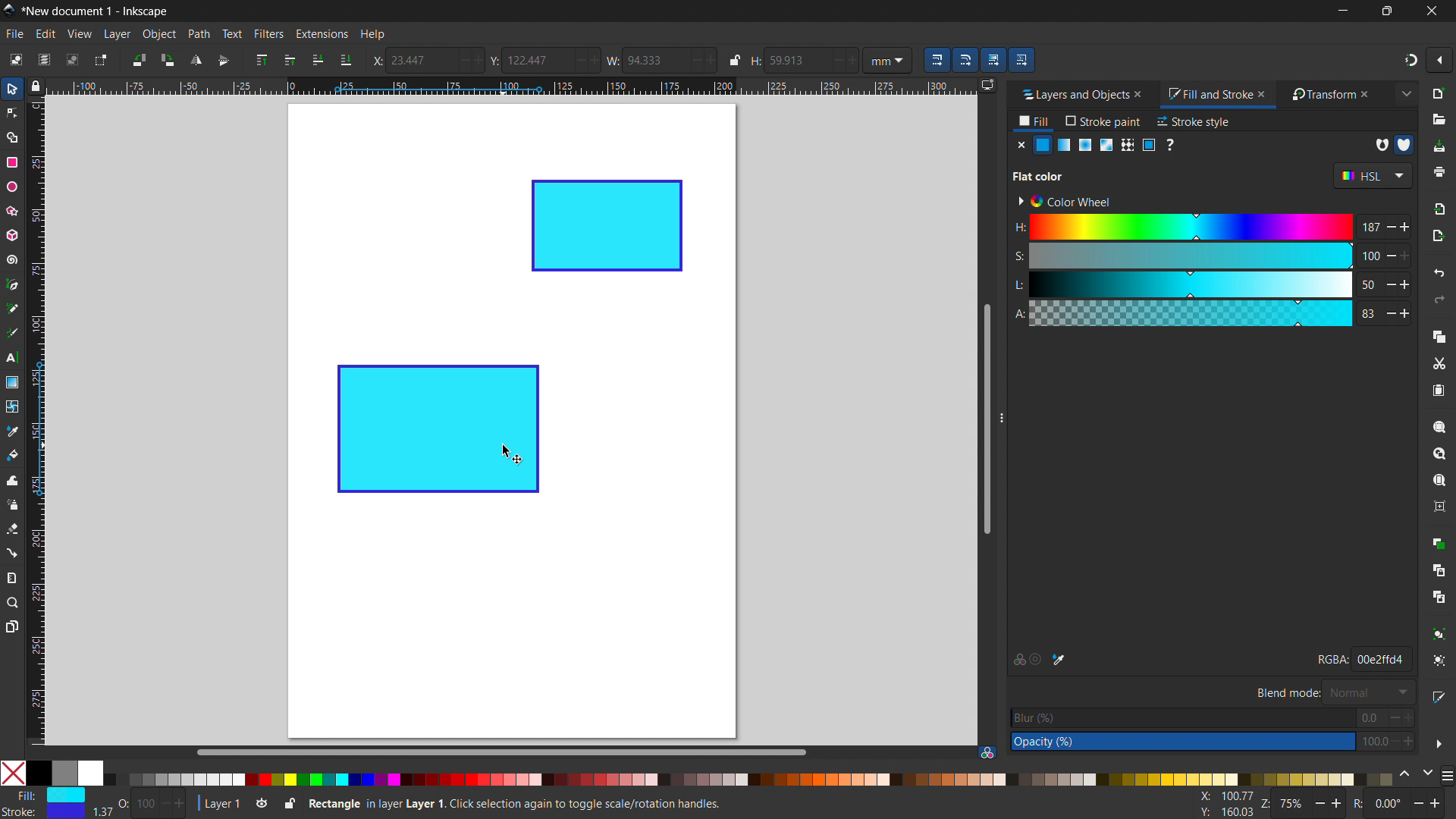 The width and height of the screenshot is (1456, 819). What do you see at coordinates (409, 60) in the screenshot?
I see `X: 23.447` at bounding box center [409, 60].